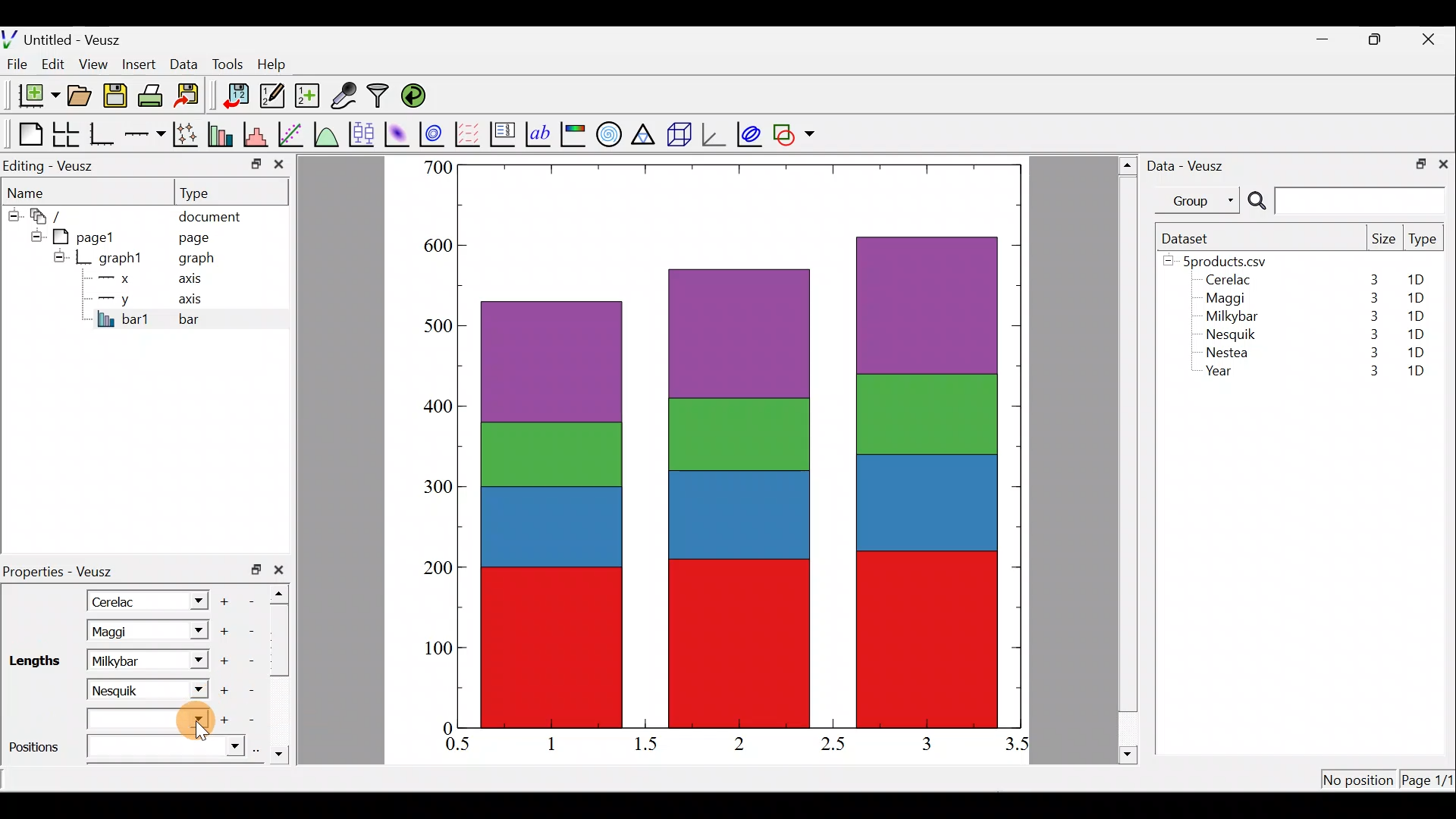 This screenshot has height=819, width=1456. I want to click on pagel, so click(90, 235).